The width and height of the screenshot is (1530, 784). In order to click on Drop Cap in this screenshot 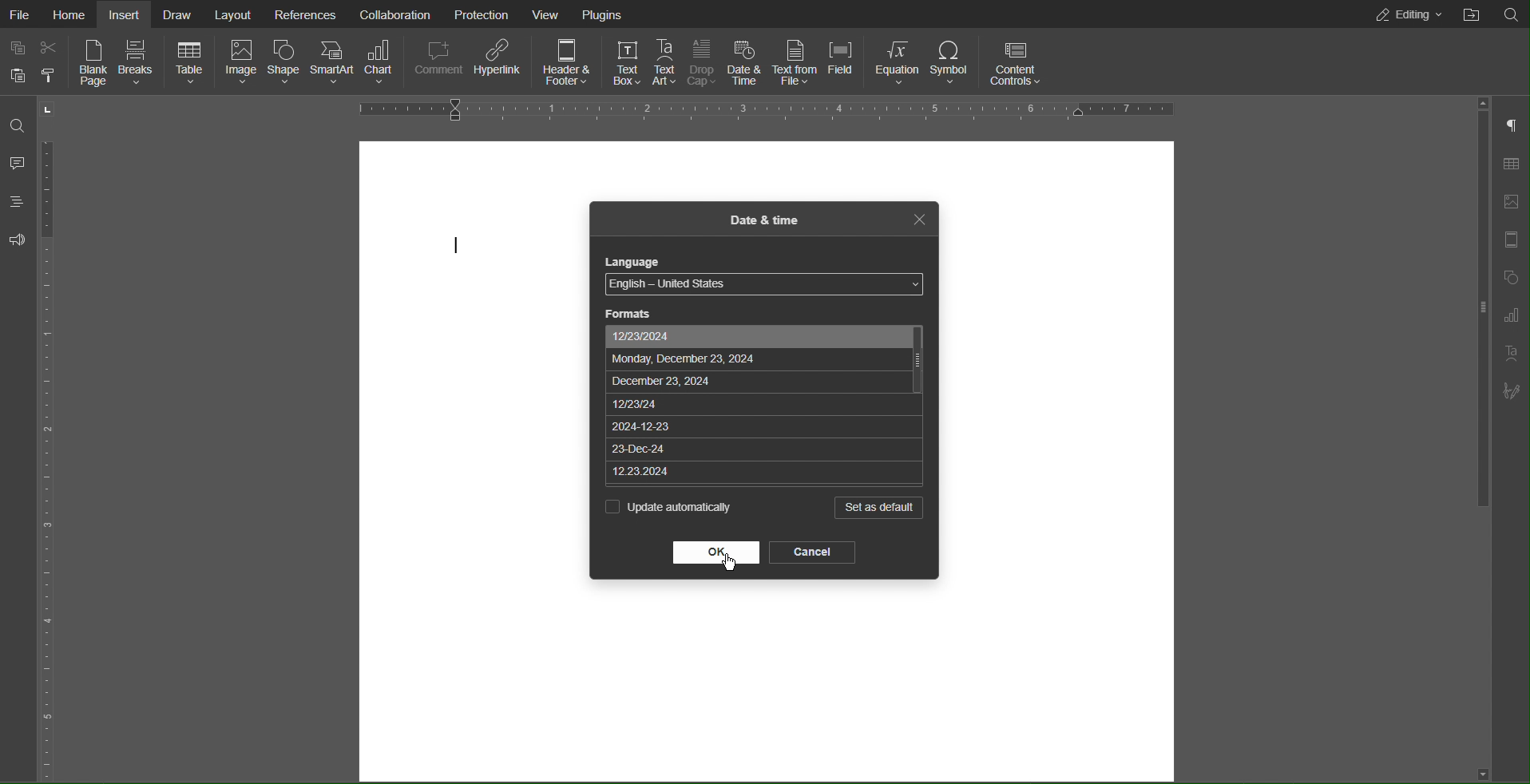, I will do `click(702, 59)`.